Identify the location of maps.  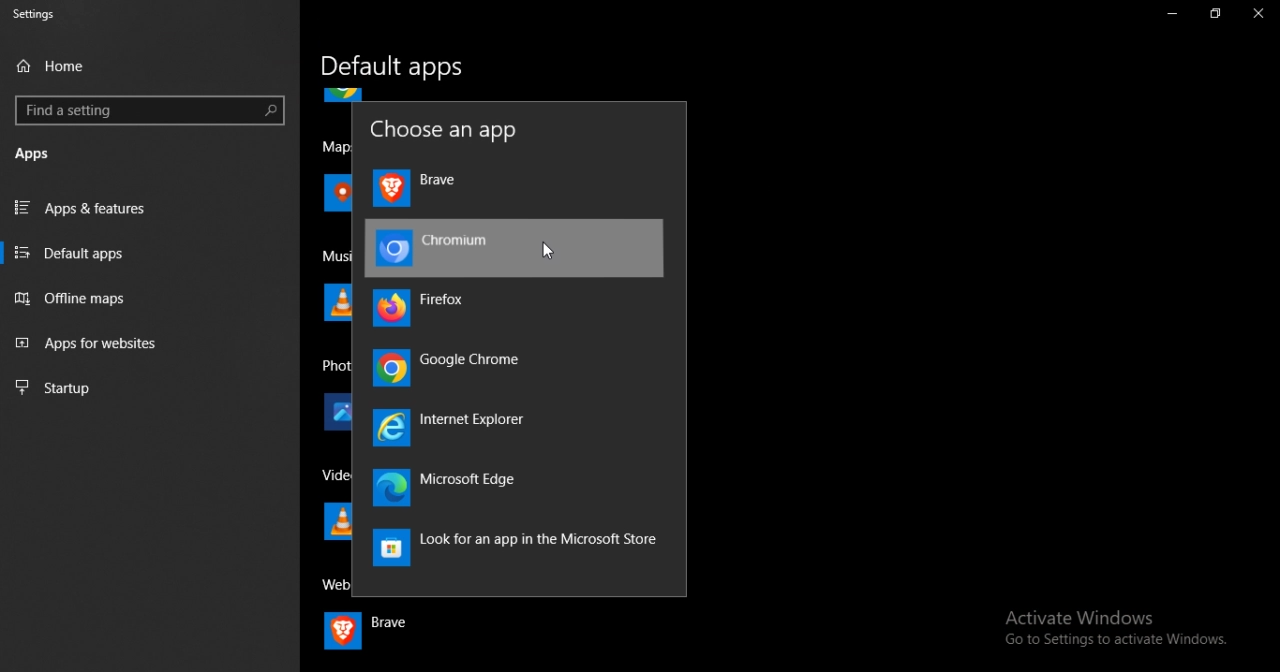
(338, 170).